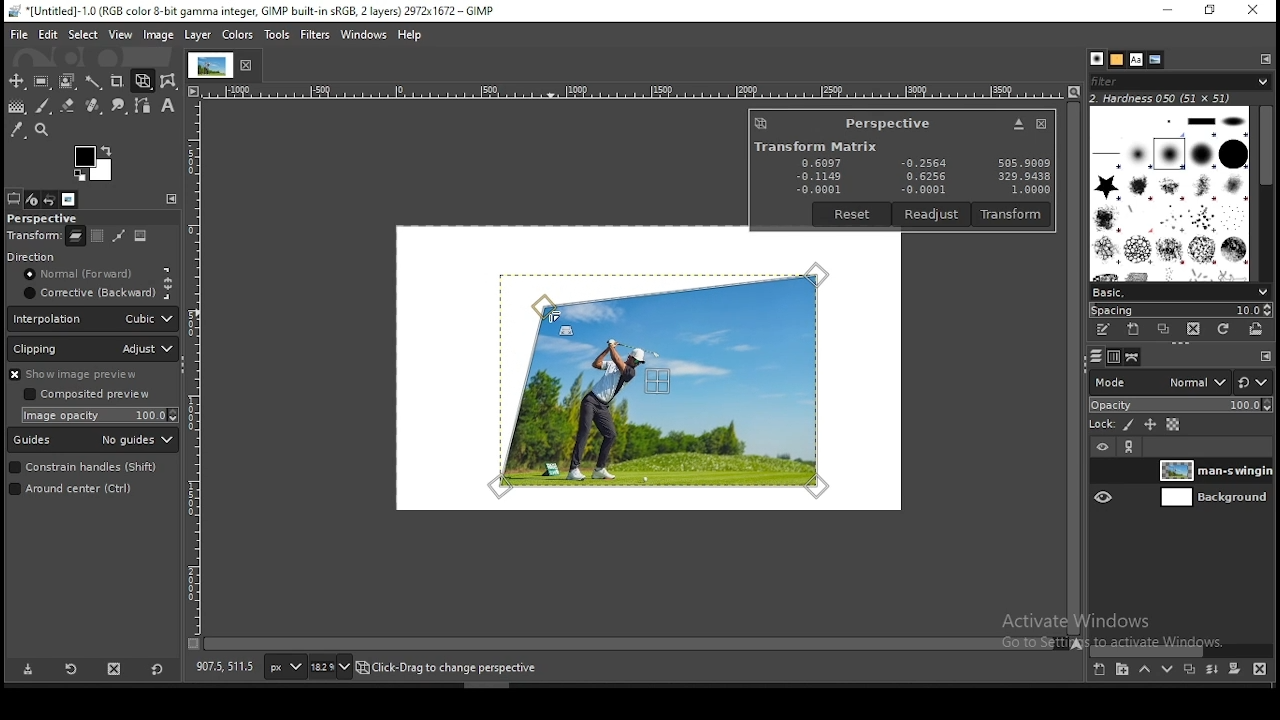 The width and height of the screenshot is (1280, 720). Describe the element at coordinates (1103, 471) in the screenshot. I see `layer visibility on/off` at that location.